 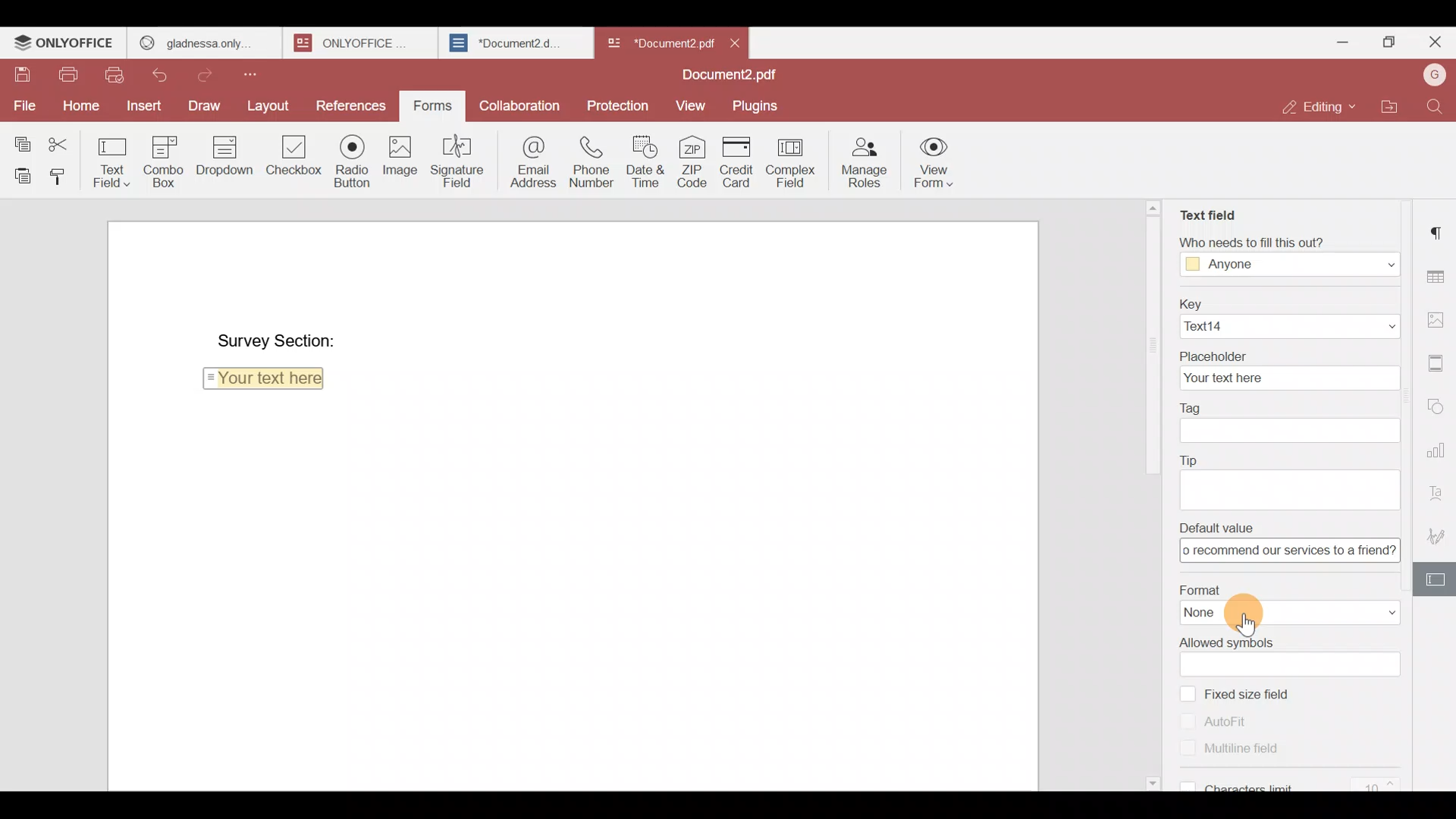 I want to click on Text Art settings, so click(x=1439, y=491).